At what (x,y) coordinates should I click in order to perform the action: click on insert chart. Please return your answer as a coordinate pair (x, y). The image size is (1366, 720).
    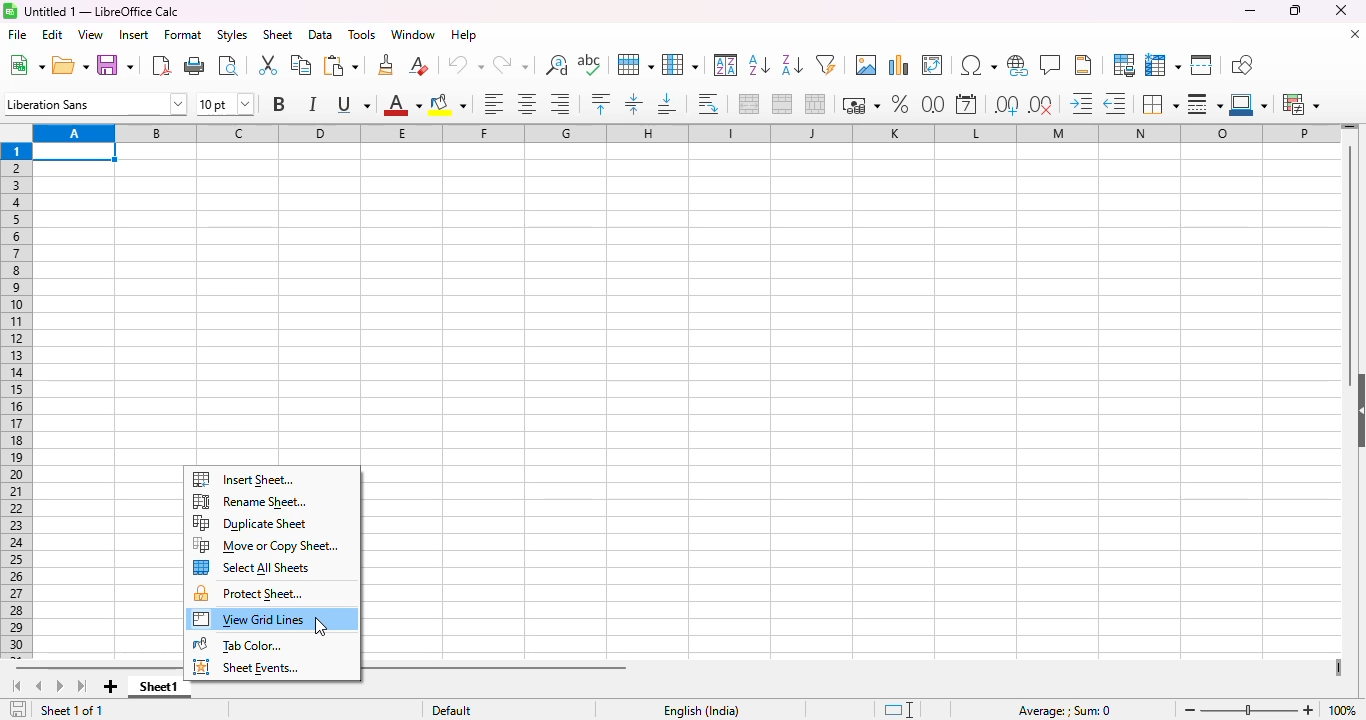
    Looking at the image, I should click on (900, 65).